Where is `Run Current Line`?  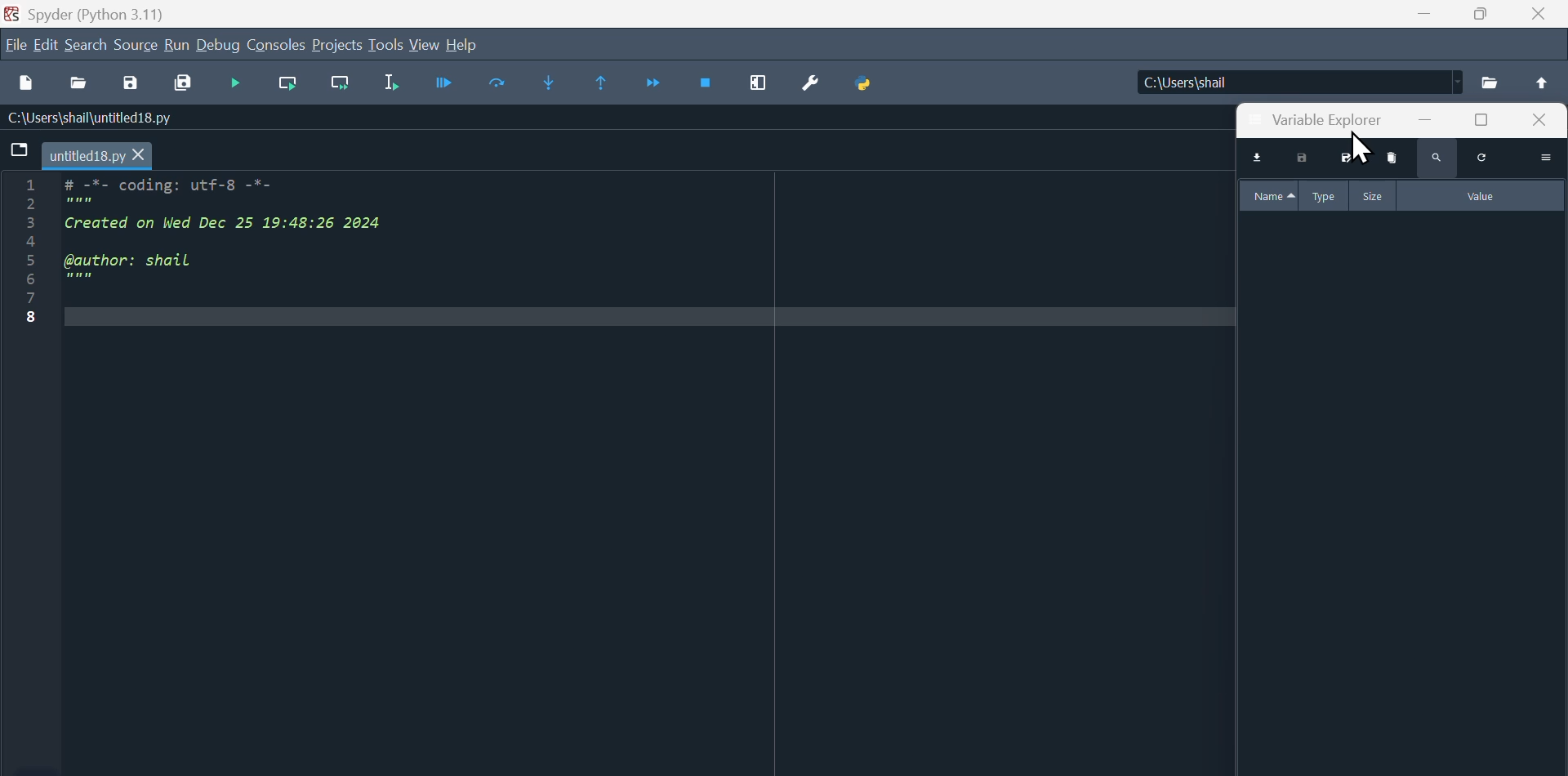 Run Current Line is located at coordinates (507, 87).